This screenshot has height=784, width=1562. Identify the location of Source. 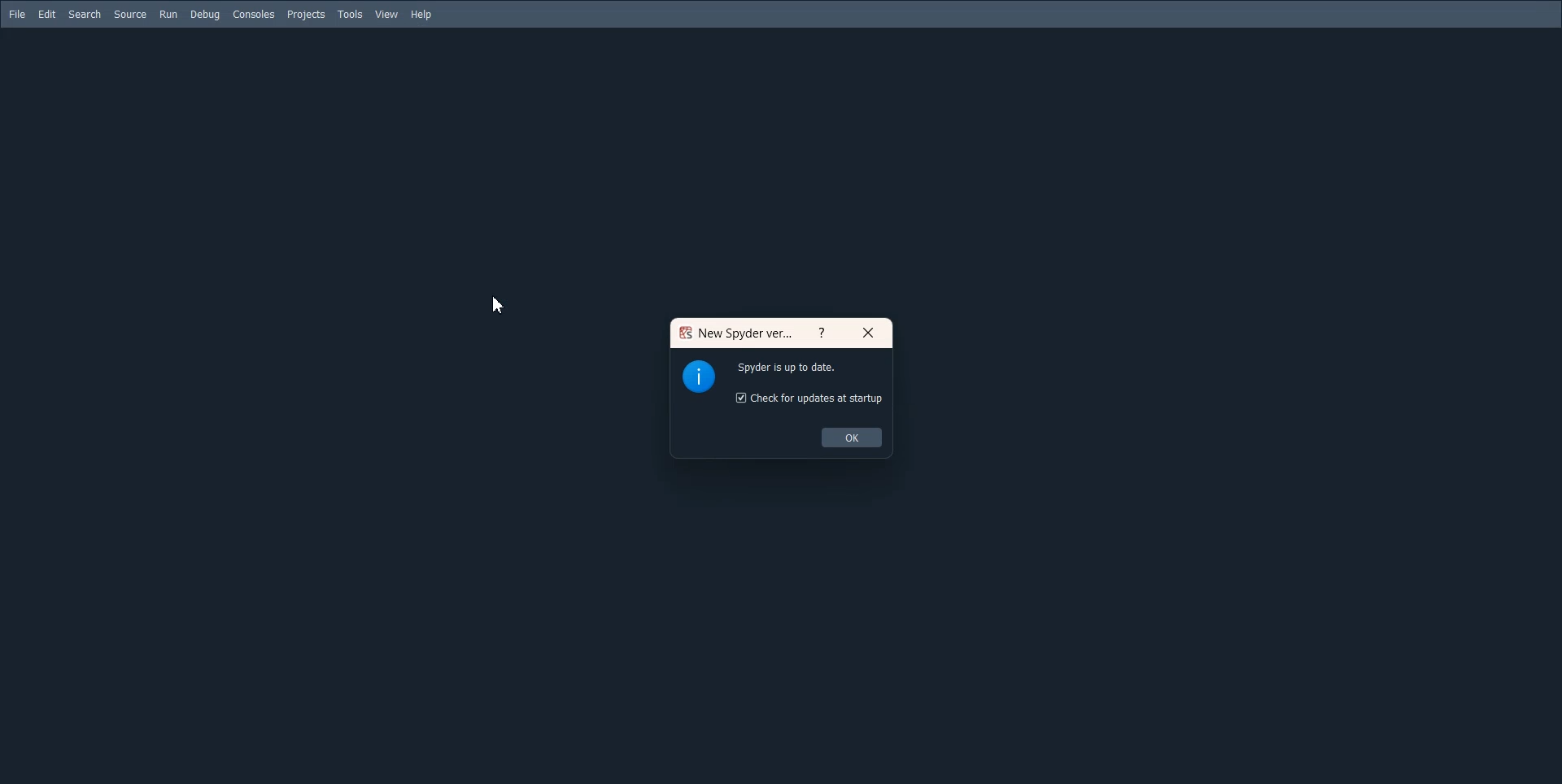
(130, 15).